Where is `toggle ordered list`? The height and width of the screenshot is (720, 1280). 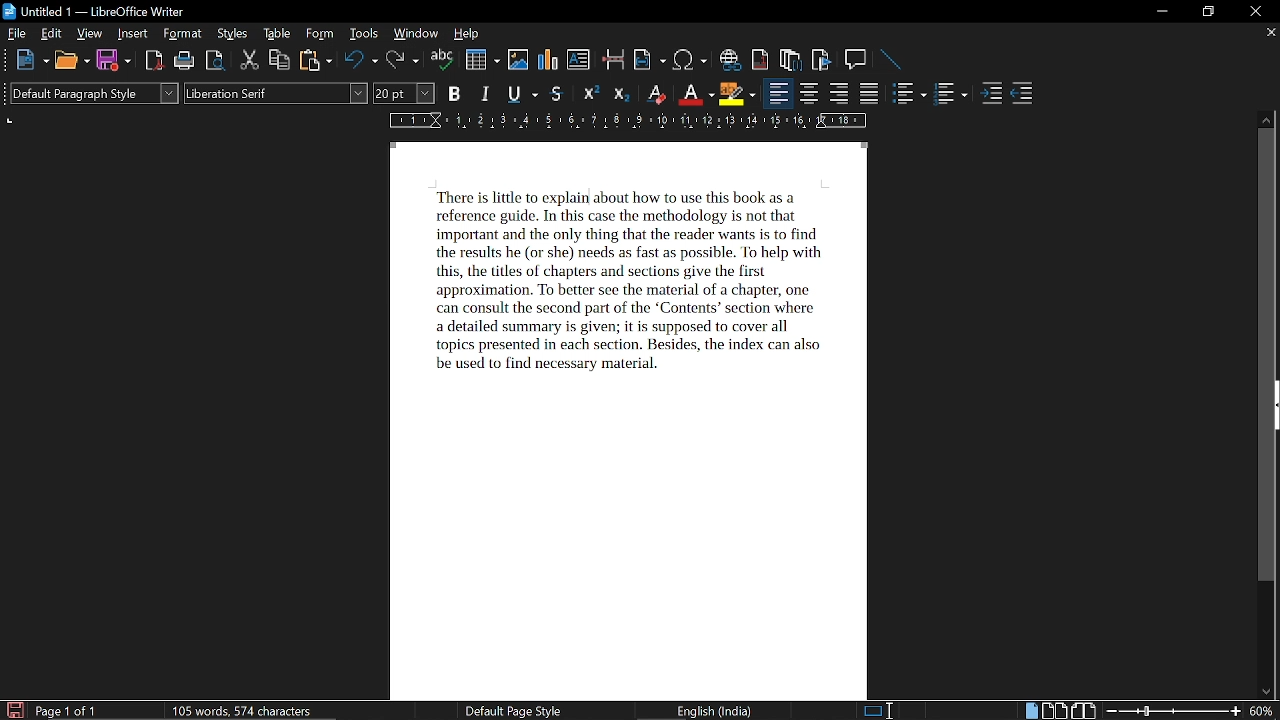
toggle ordered list is located at coordinates (910, 94).